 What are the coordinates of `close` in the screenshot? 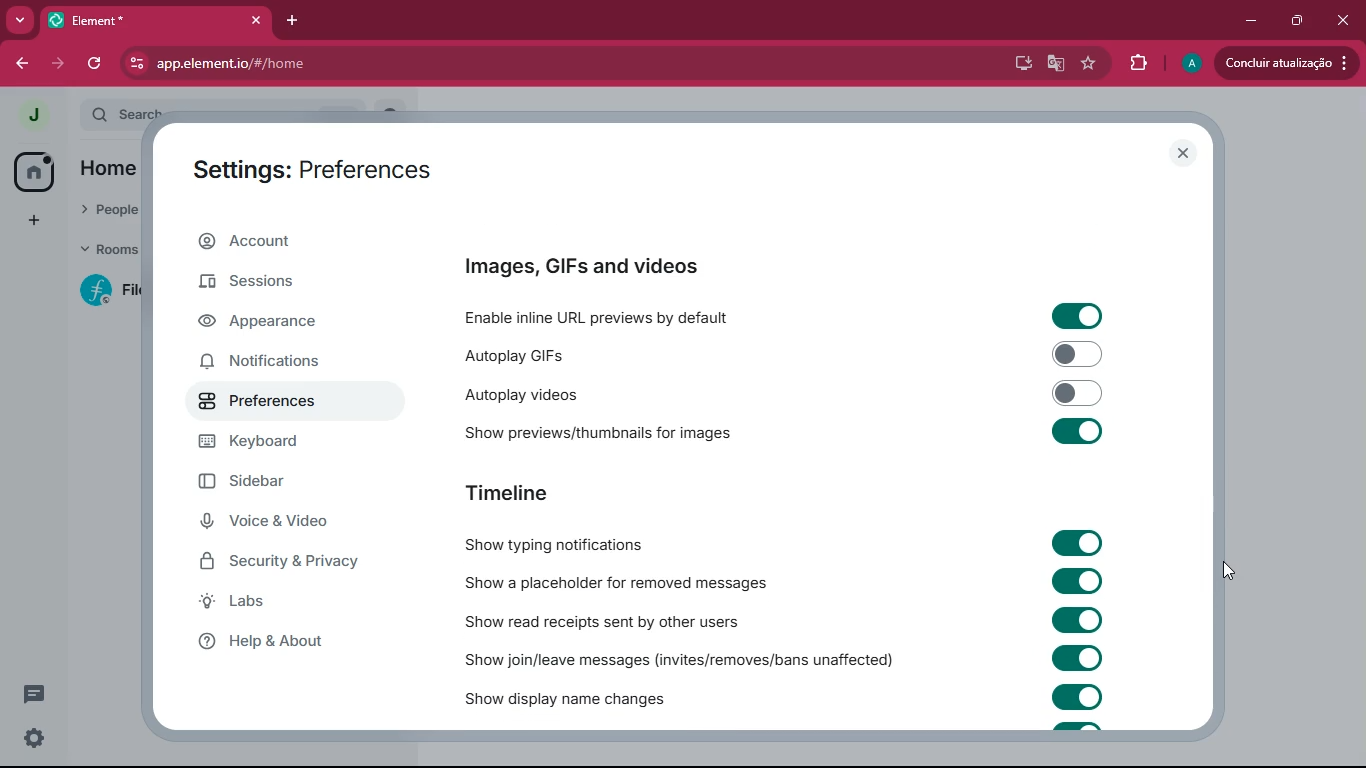 It's located at (1182, 153).